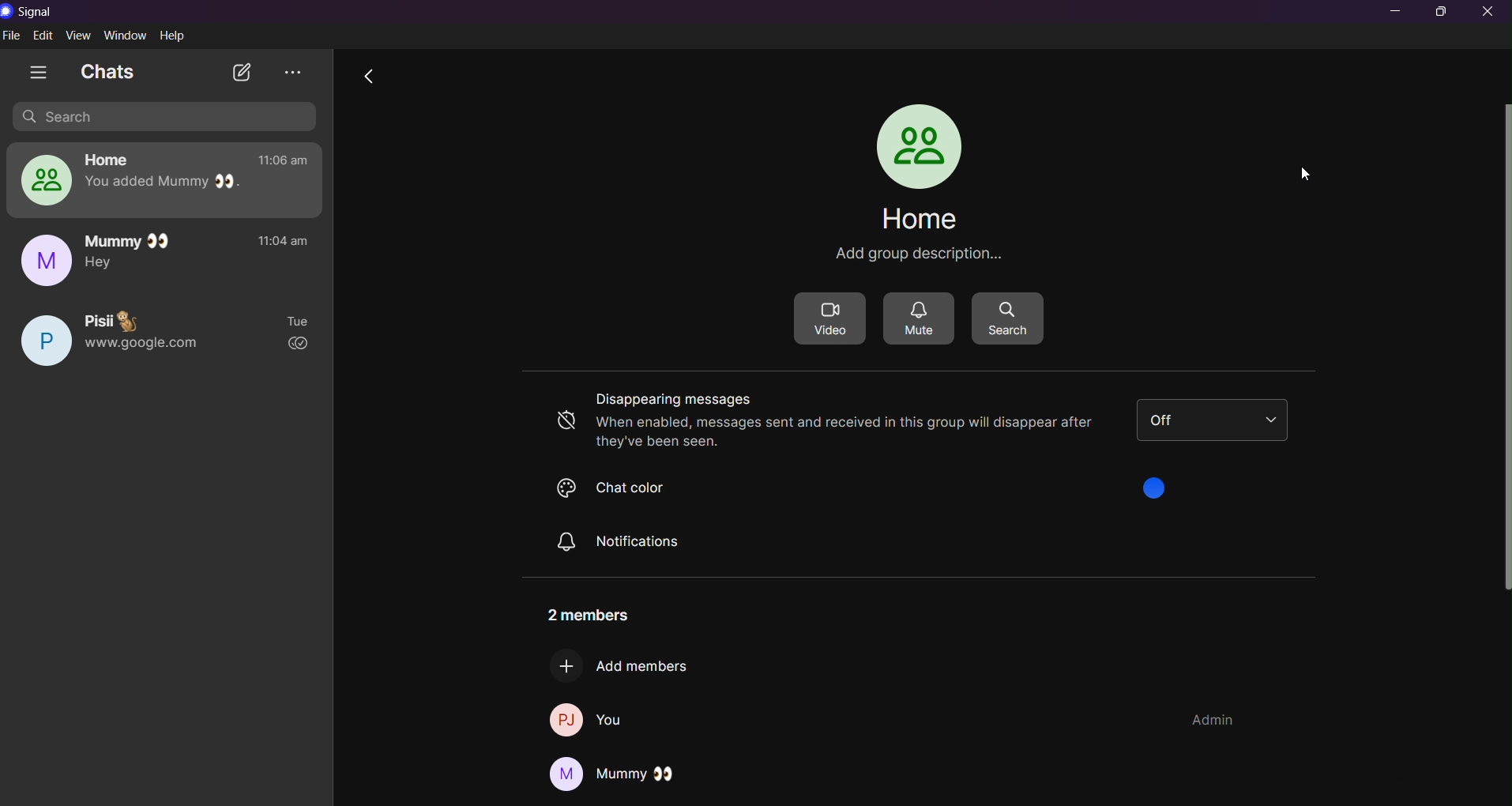 The image size is (1512, 806). Describe the element at coordinates (621, 717) in the screenshot. I see `you` at that location.